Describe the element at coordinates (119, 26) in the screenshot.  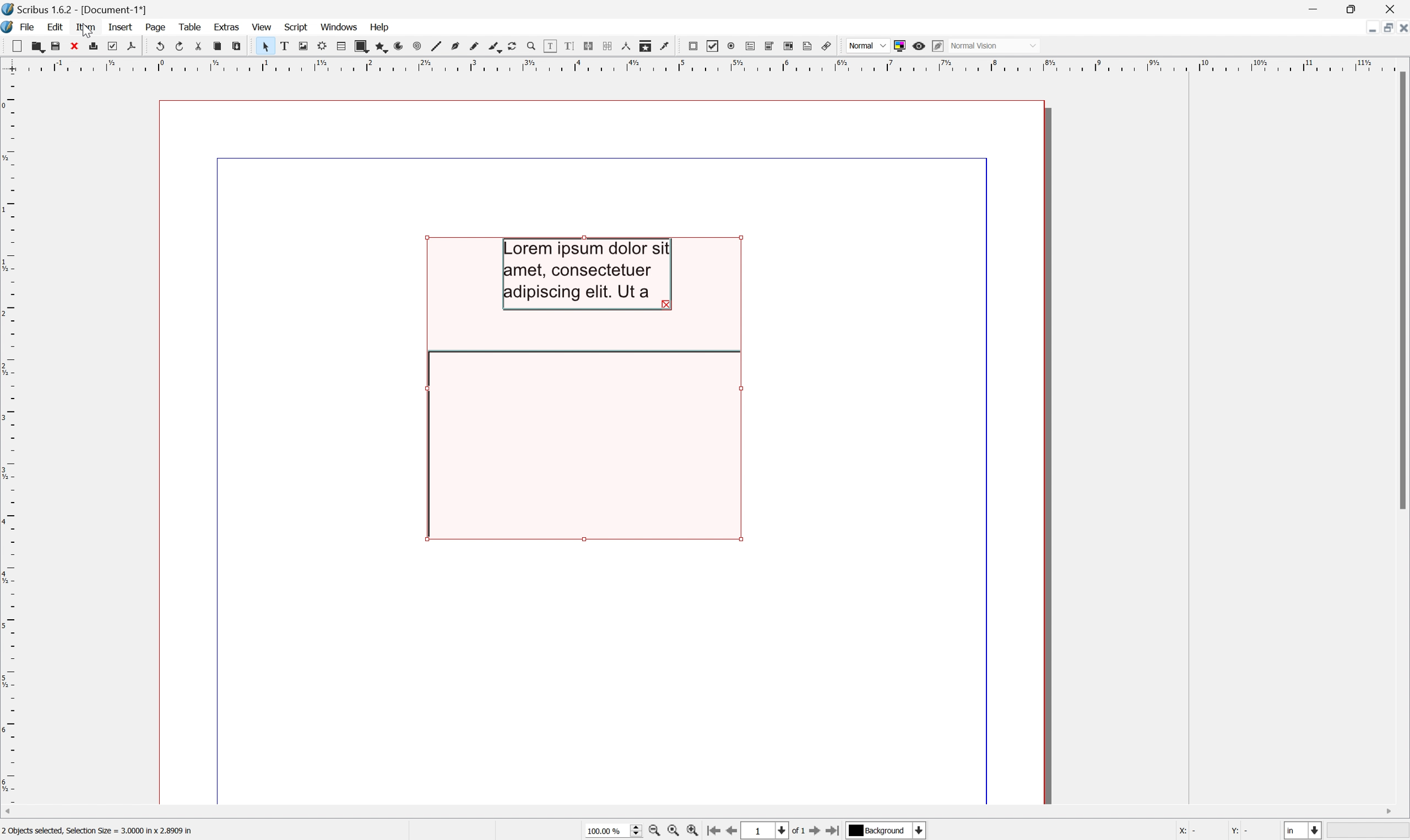
I see `Insert` at that location.